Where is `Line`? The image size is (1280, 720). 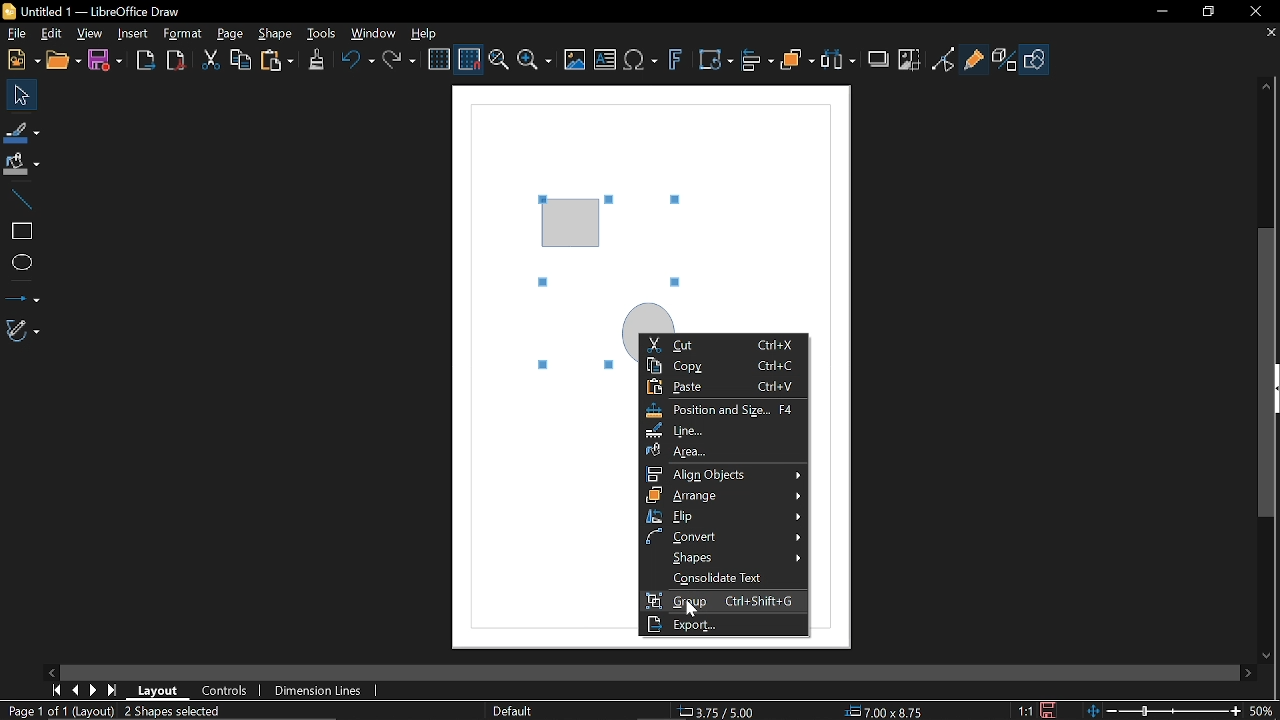
Line is located at coordinates (722, 430).